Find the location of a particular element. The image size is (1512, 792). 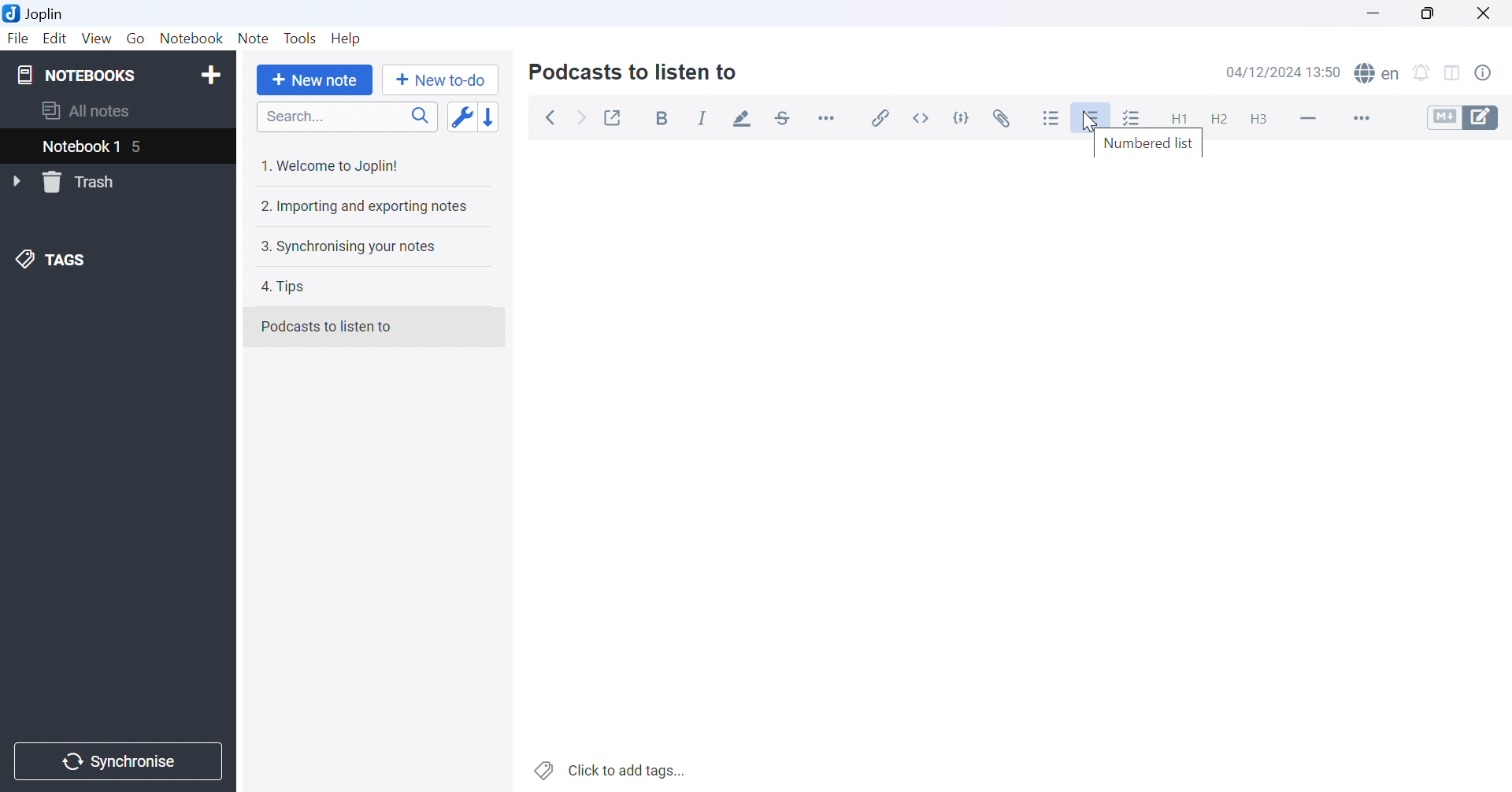

Strikethrough is located at coordinates (784, 117).